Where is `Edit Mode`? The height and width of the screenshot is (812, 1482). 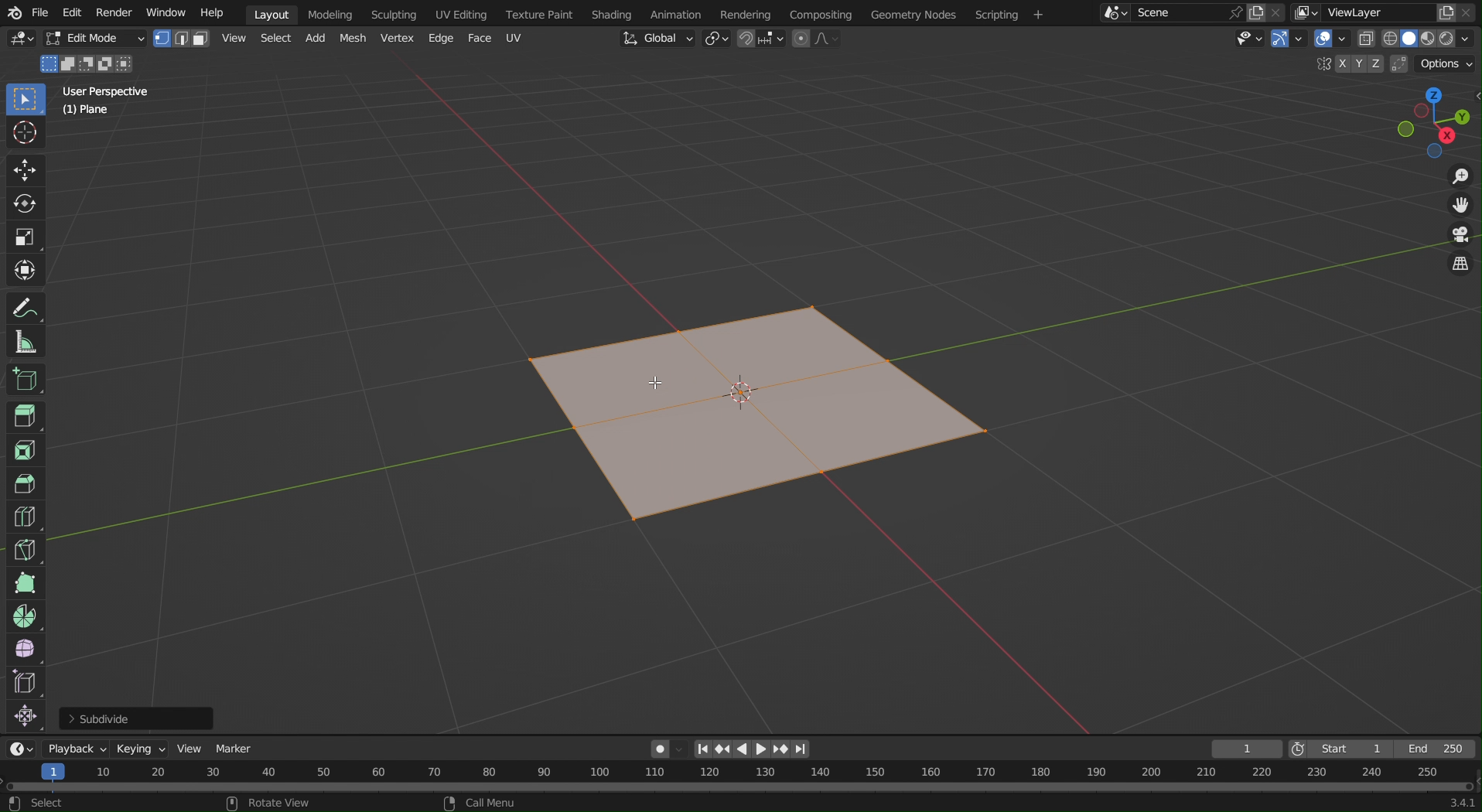 Edit Mode is located at coordinates (94, 39).